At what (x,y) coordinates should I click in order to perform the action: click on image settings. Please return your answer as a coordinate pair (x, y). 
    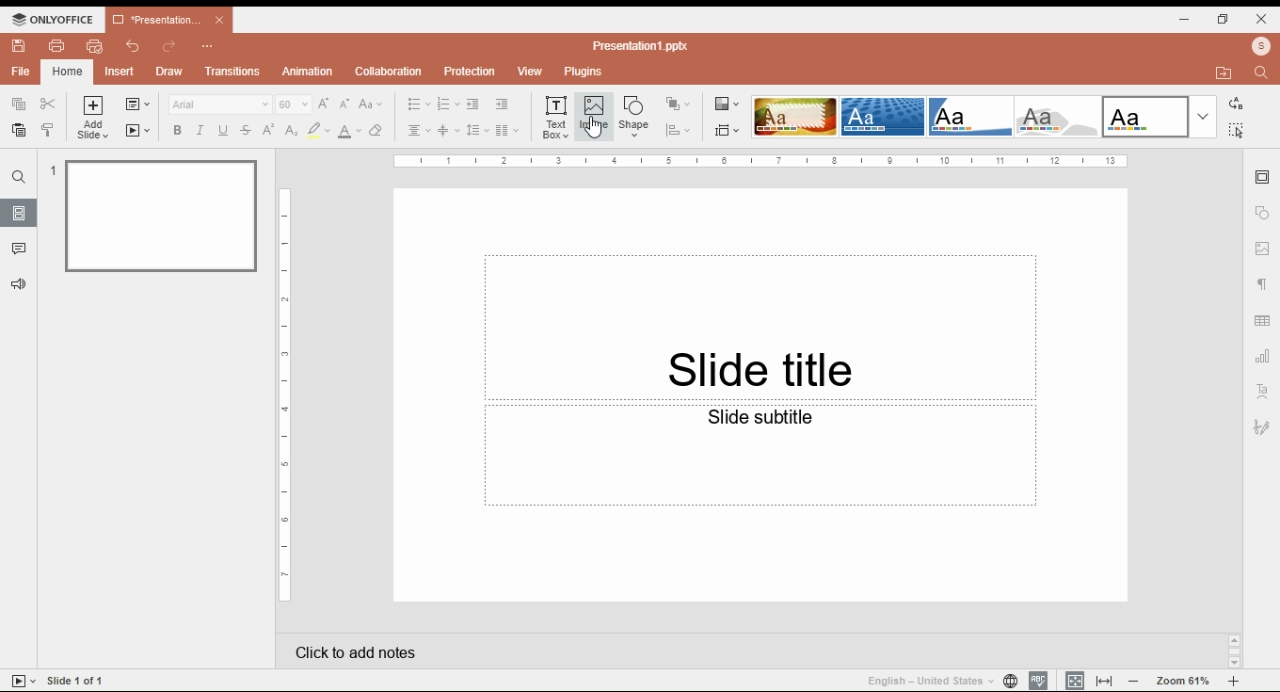
    Looking at the image, I should click on (1262, 249).